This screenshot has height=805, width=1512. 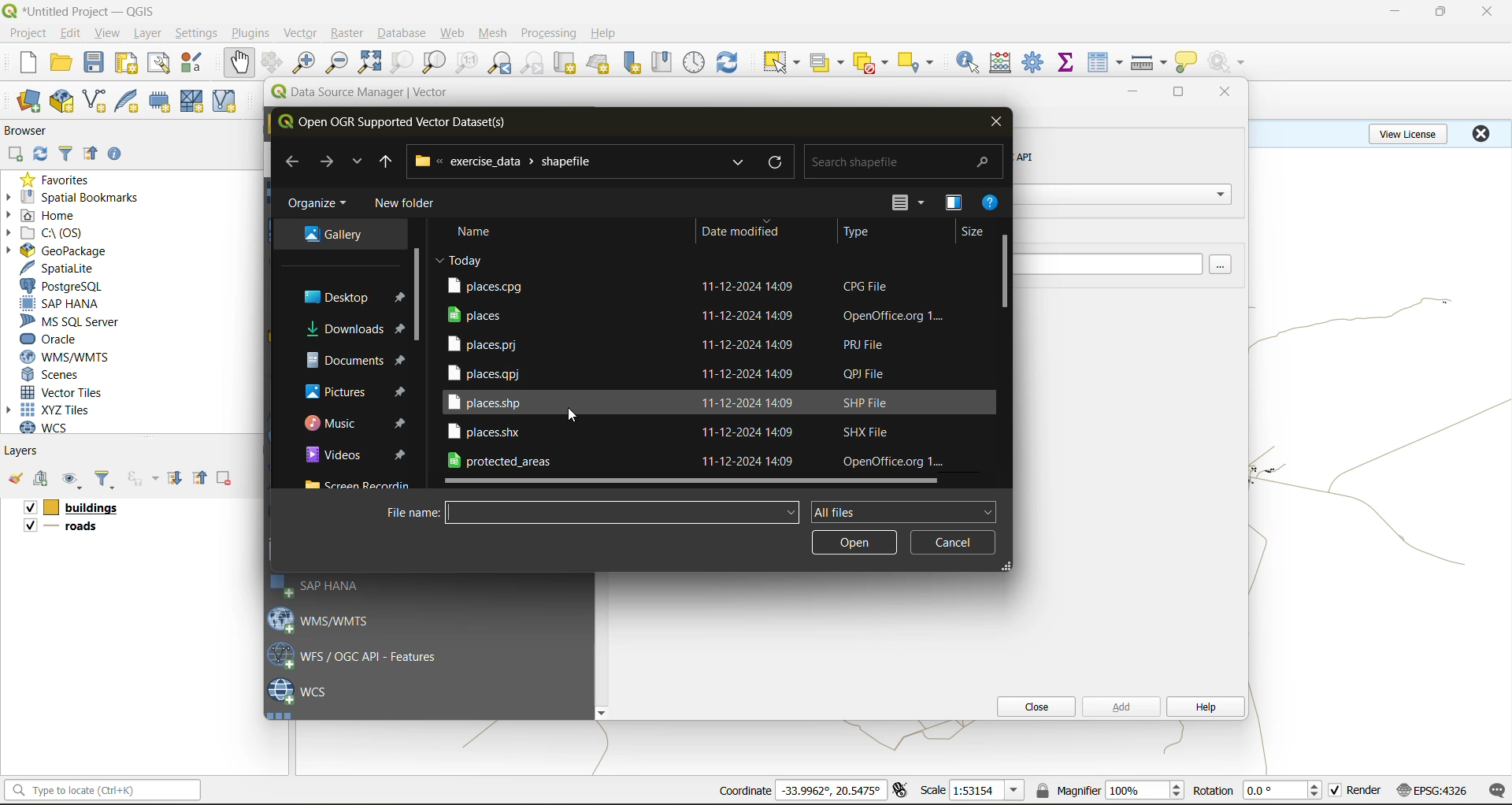 I want to click on sap hana, so click(x=61, y=304).